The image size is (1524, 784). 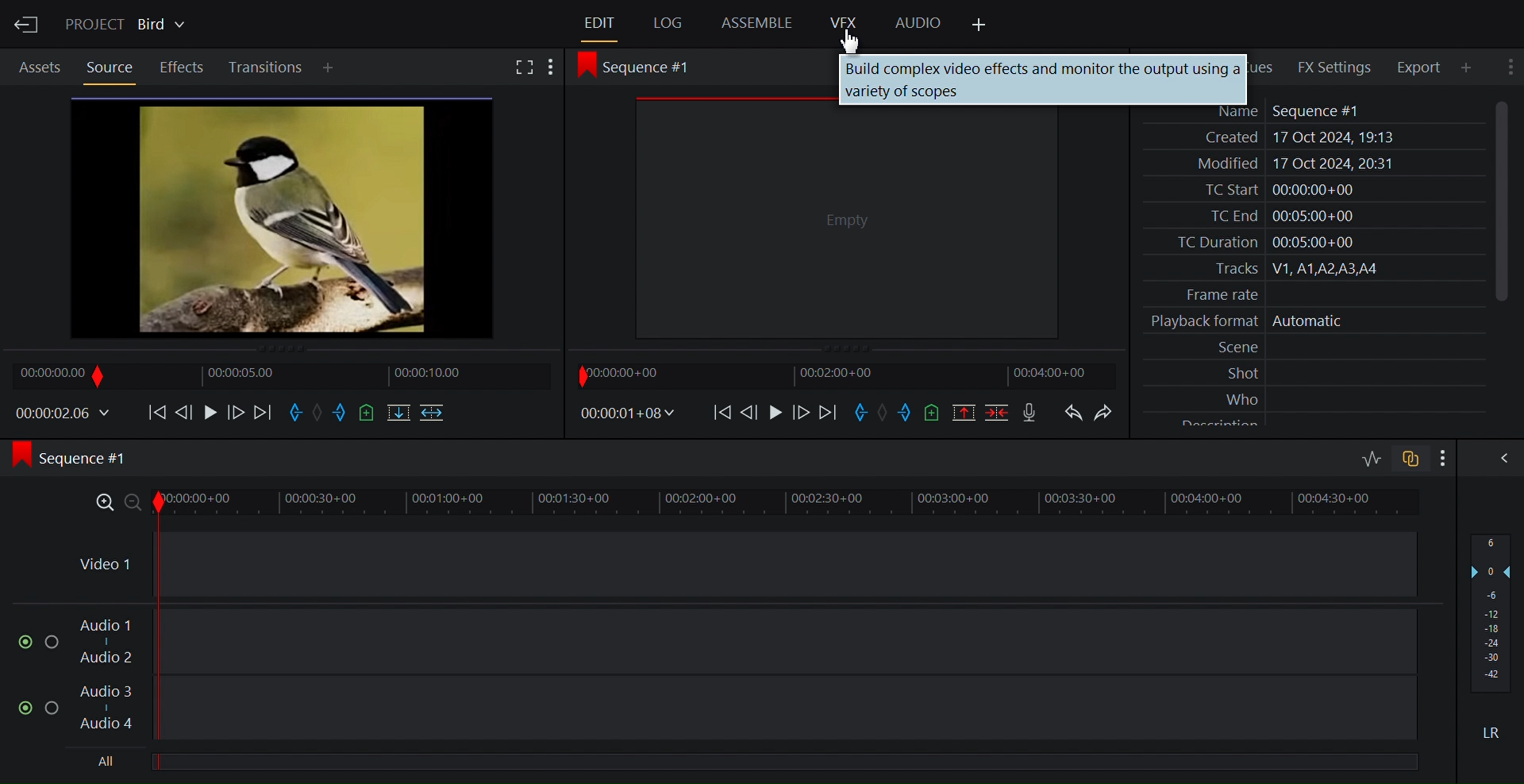 I want to click on Toggle audio track sync, so click(x=1411, y=458).